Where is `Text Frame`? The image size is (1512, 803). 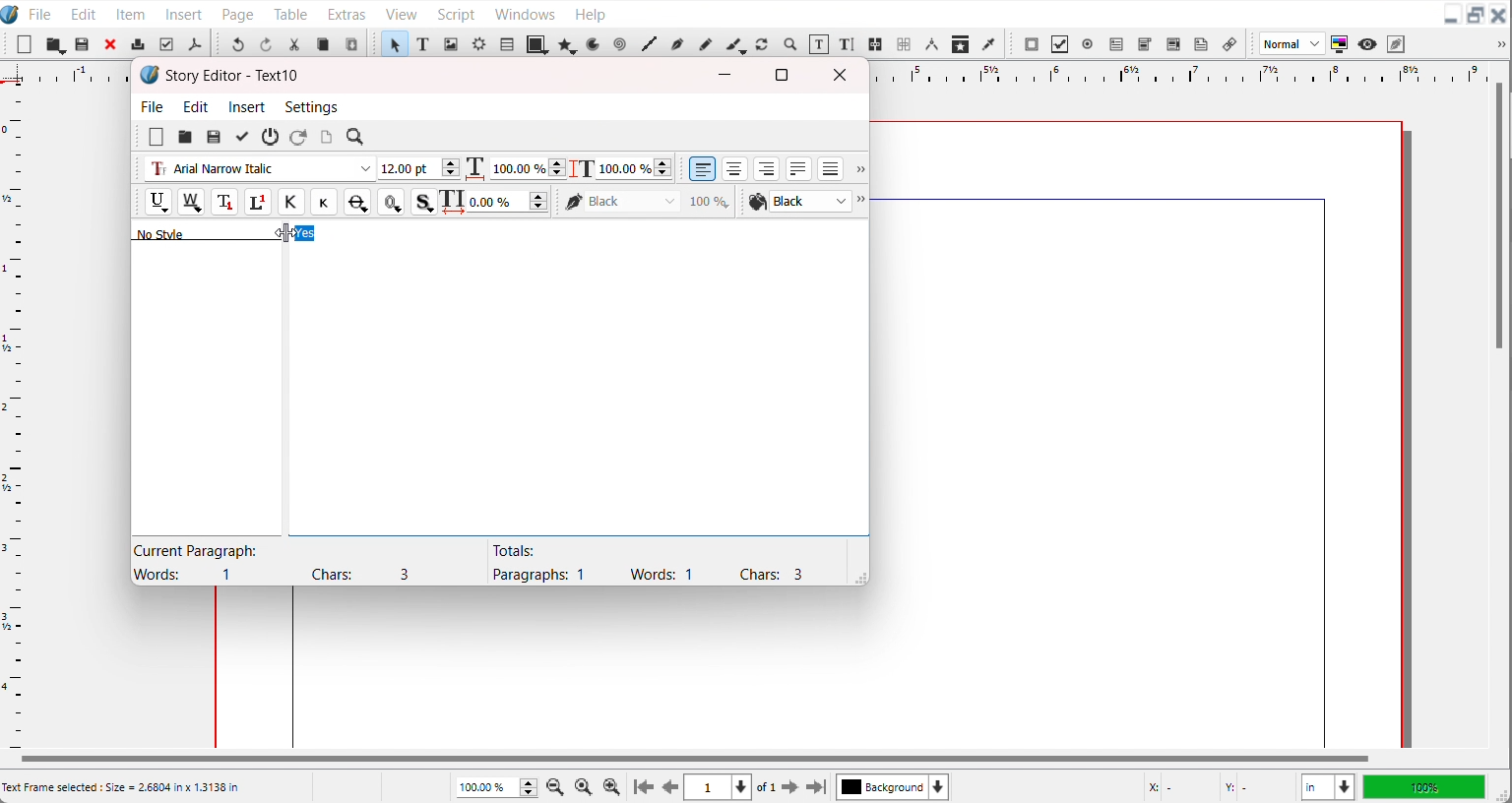
Text Frame is located at coordinates (423, 43).